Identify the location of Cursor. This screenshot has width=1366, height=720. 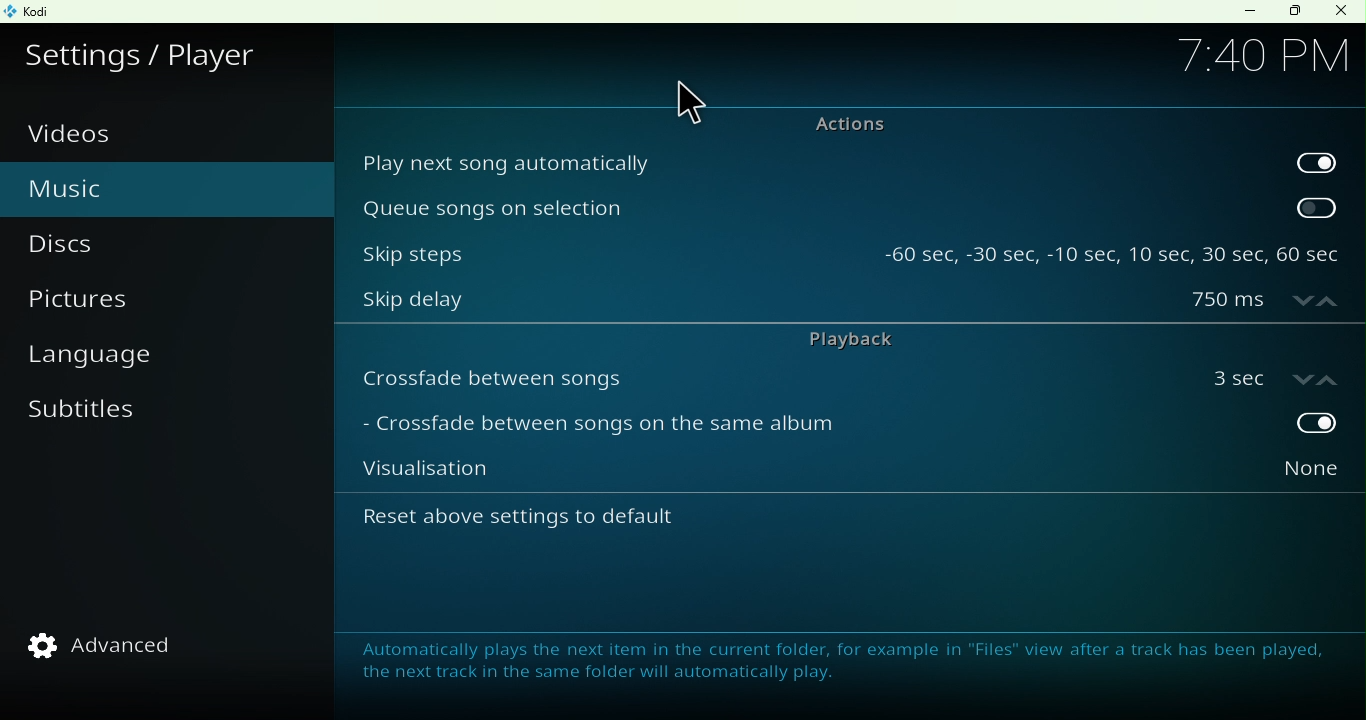
(687, 103).